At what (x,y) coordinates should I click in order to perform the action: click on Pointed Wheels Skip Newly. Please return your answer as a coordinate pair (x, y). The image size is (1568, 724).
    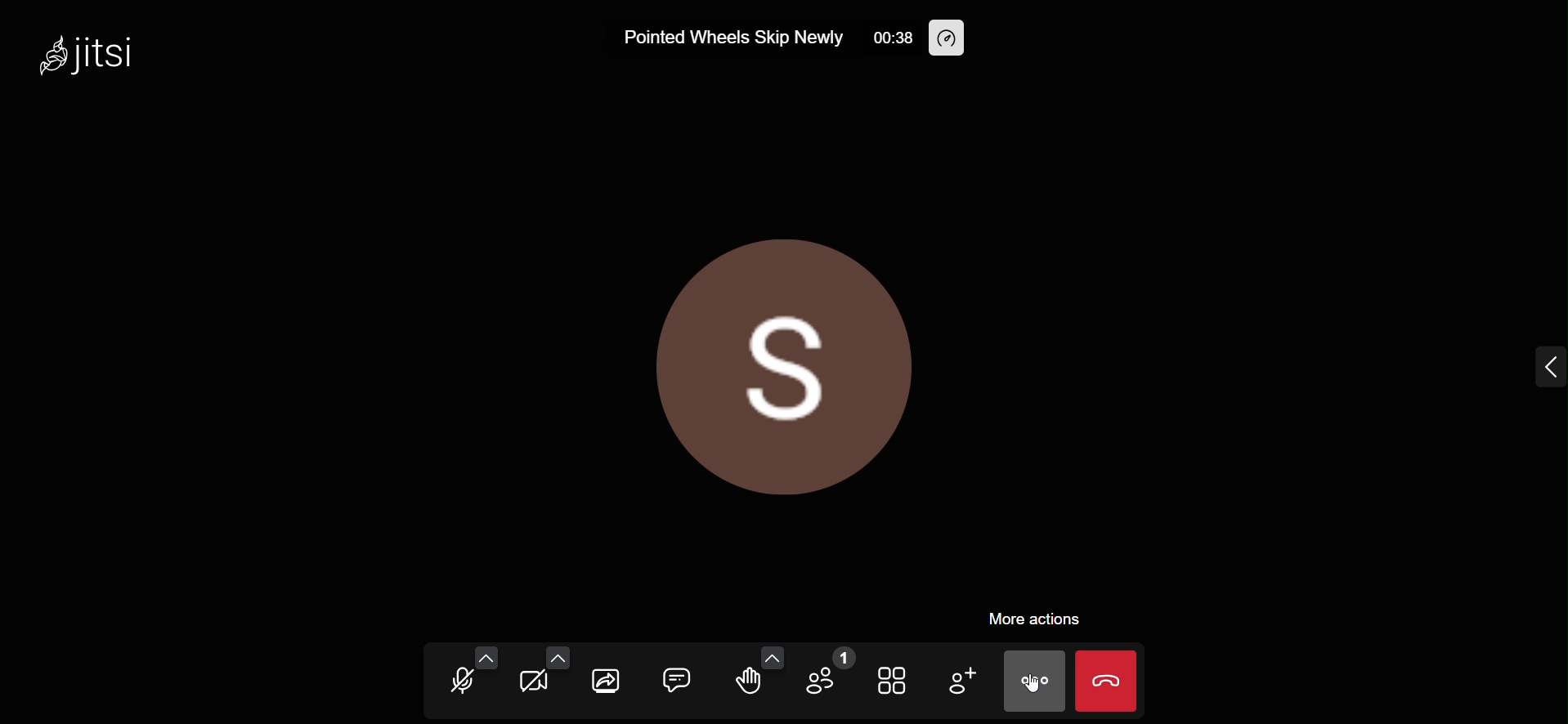
    Looking at the image, I should click on (733, 38).